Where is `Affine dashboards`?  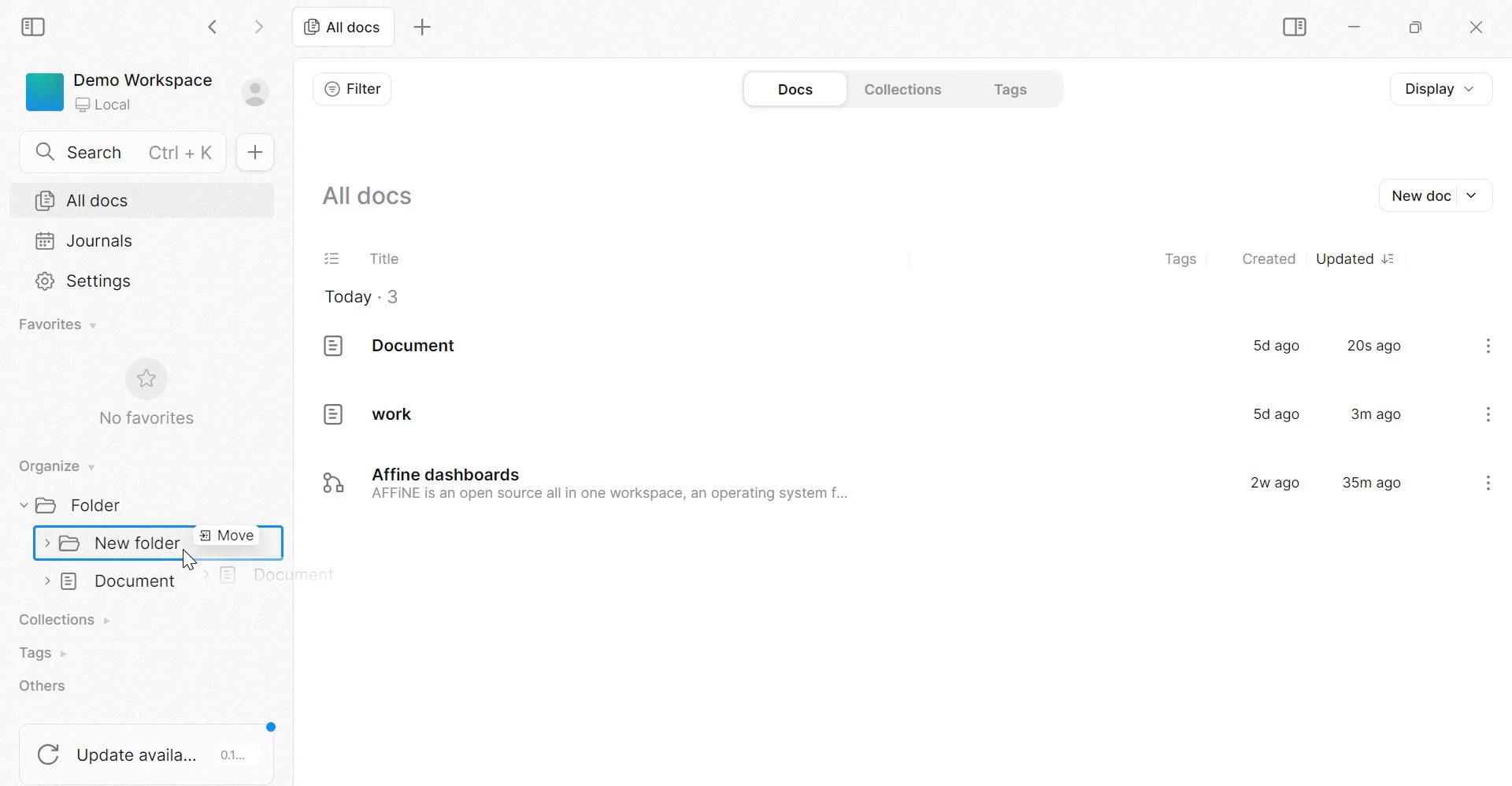
Affine dashboards is located at coordinates (606, 484).